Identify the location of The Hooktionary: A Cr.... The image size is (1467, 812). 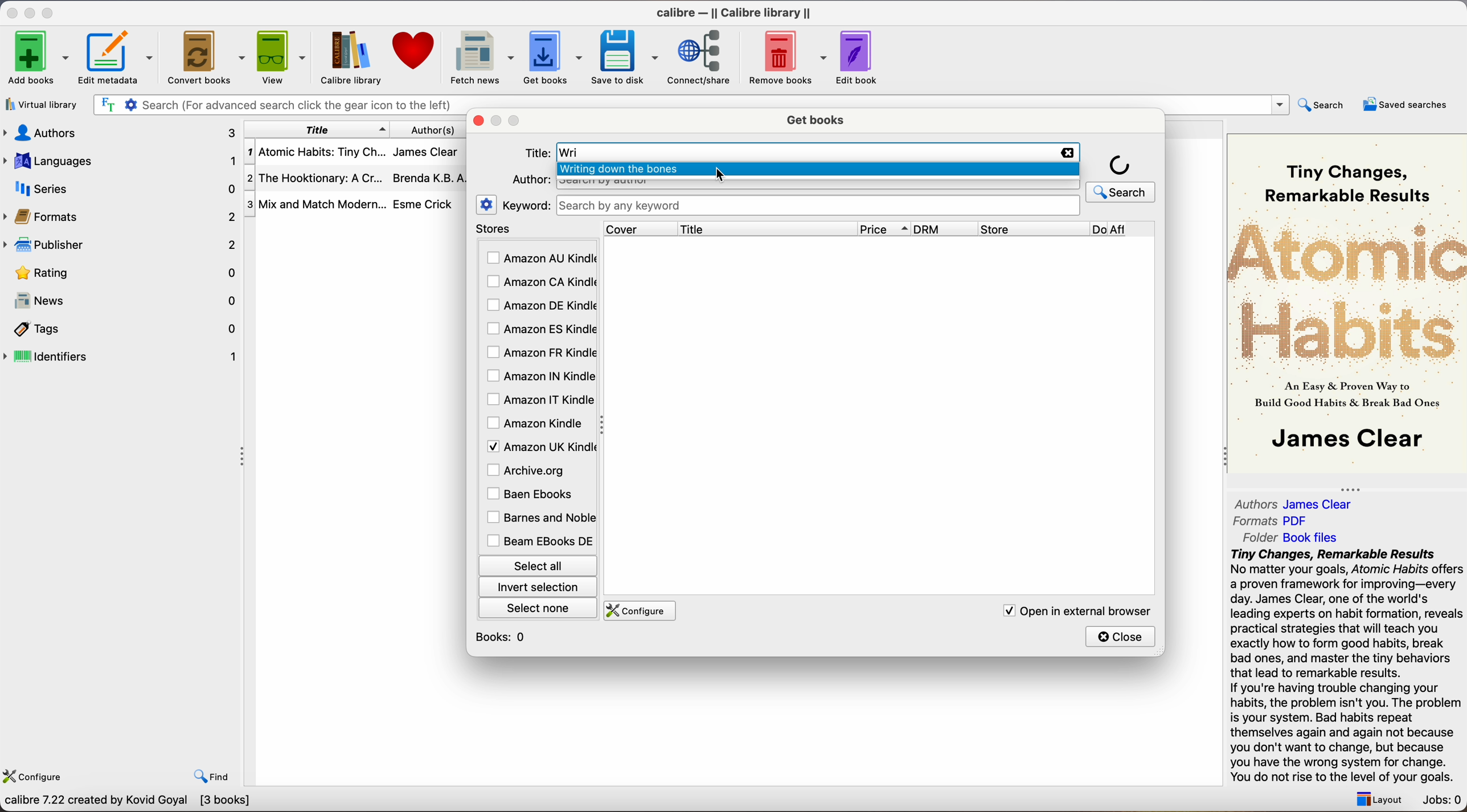
(315, 180).